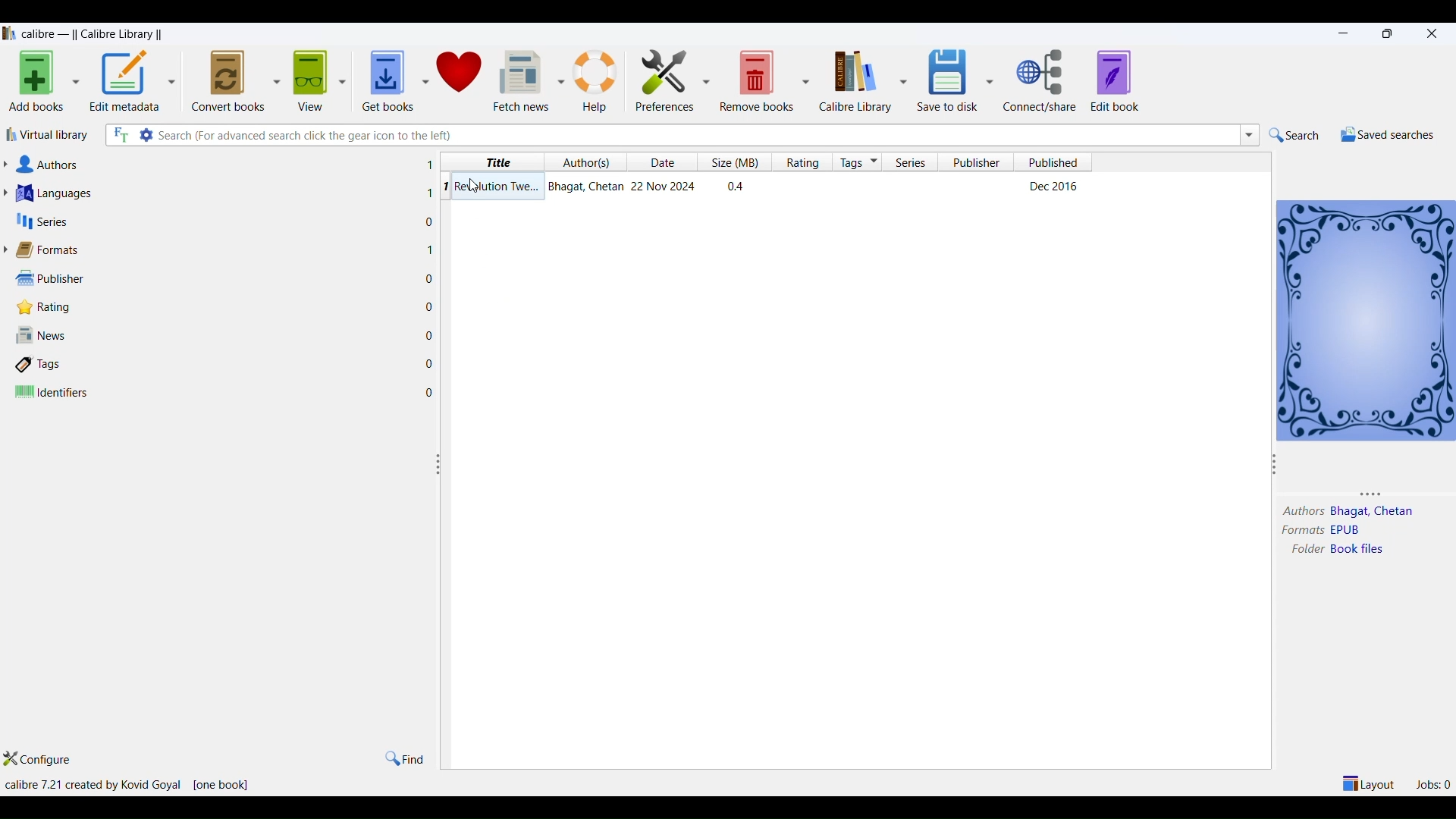 This screenshot has width=1456, height=819. What do you see at coordinates (1385, 33) in the screenshot?
I see `maximize` at bounding box center [1385, 33].